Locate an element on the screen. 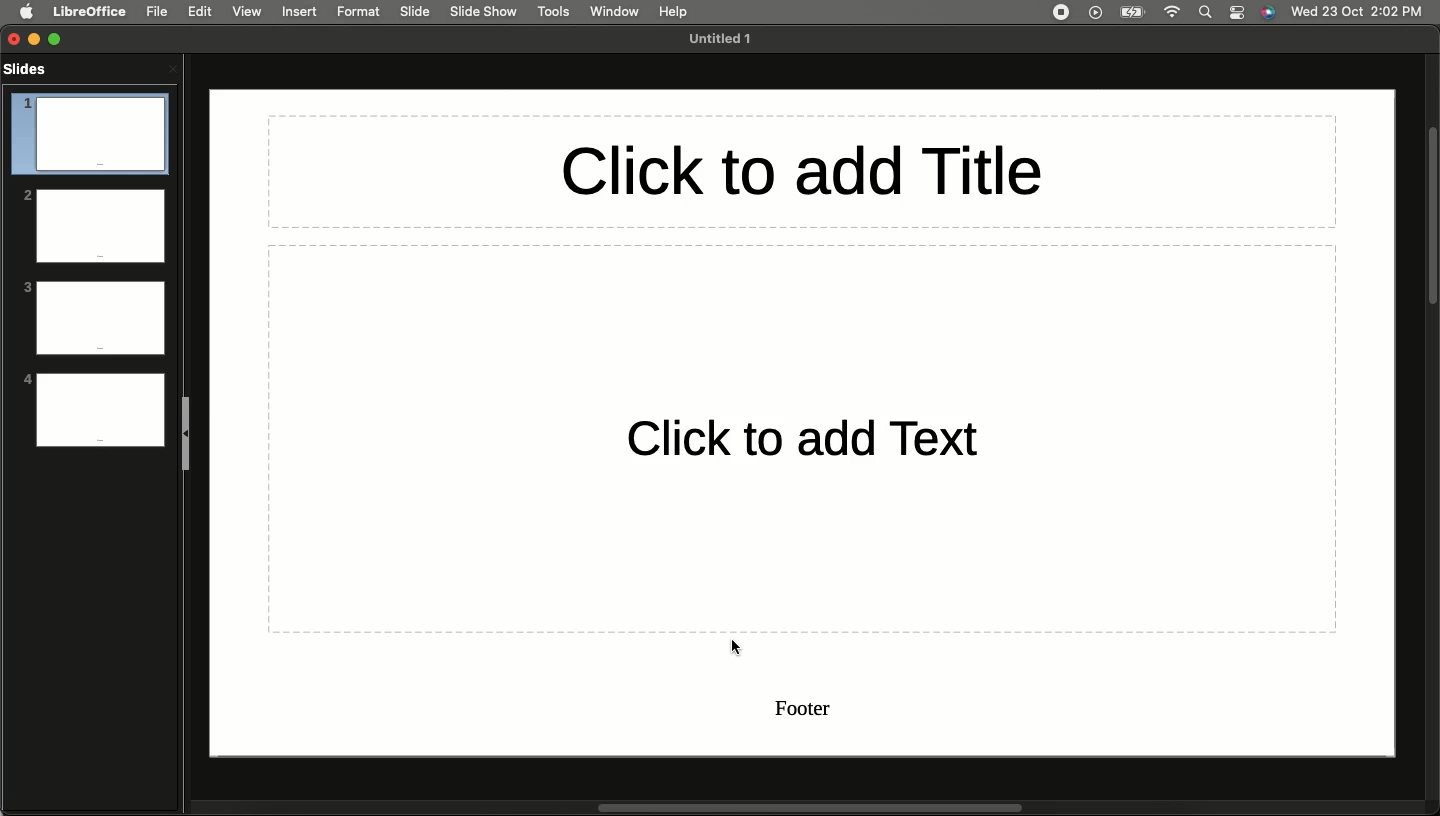  Recording is located at coordinates (1060, 11).